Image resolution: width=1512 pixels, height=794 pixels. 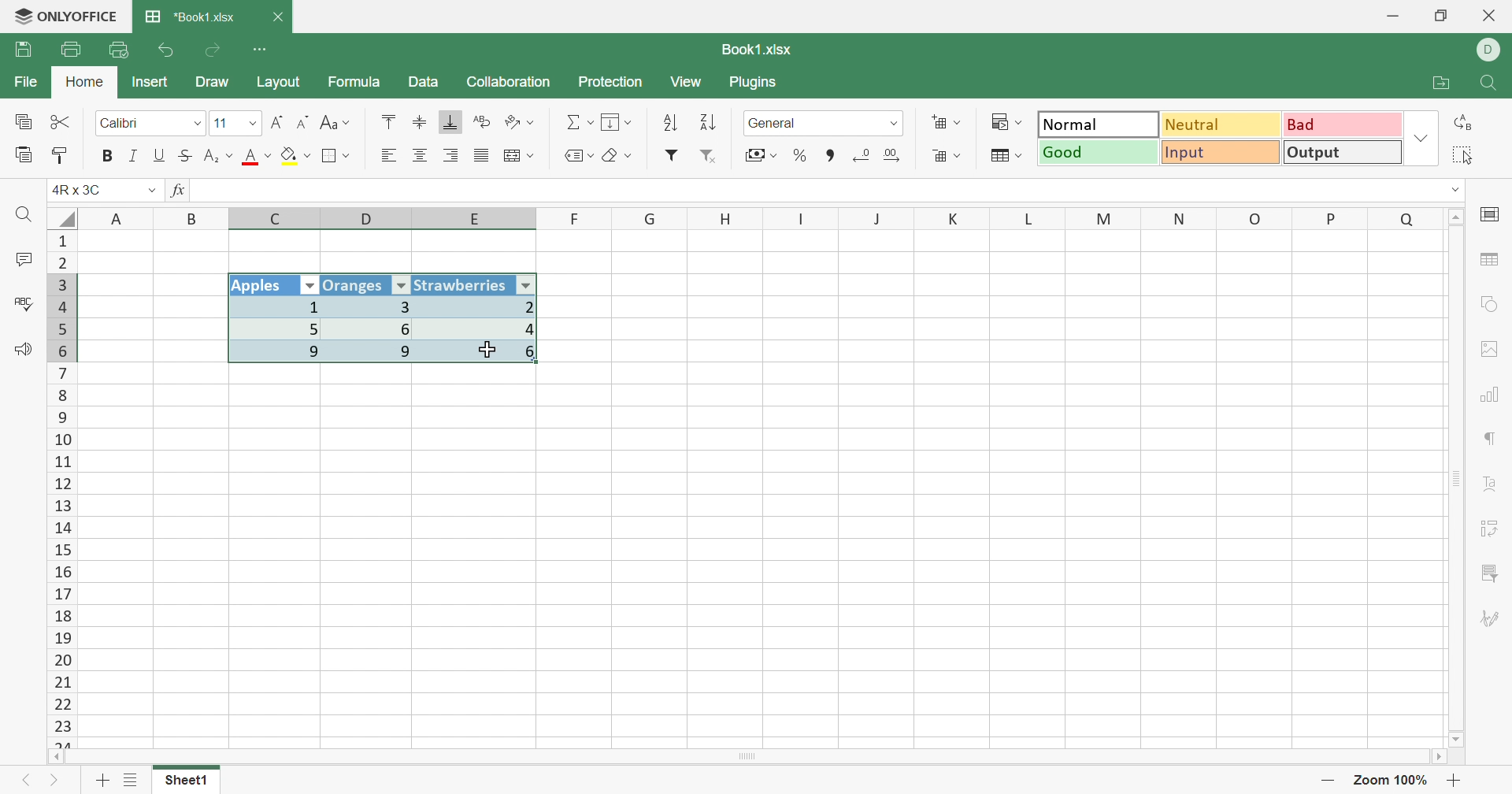 I want to click on D, so click(x=369, y=219).